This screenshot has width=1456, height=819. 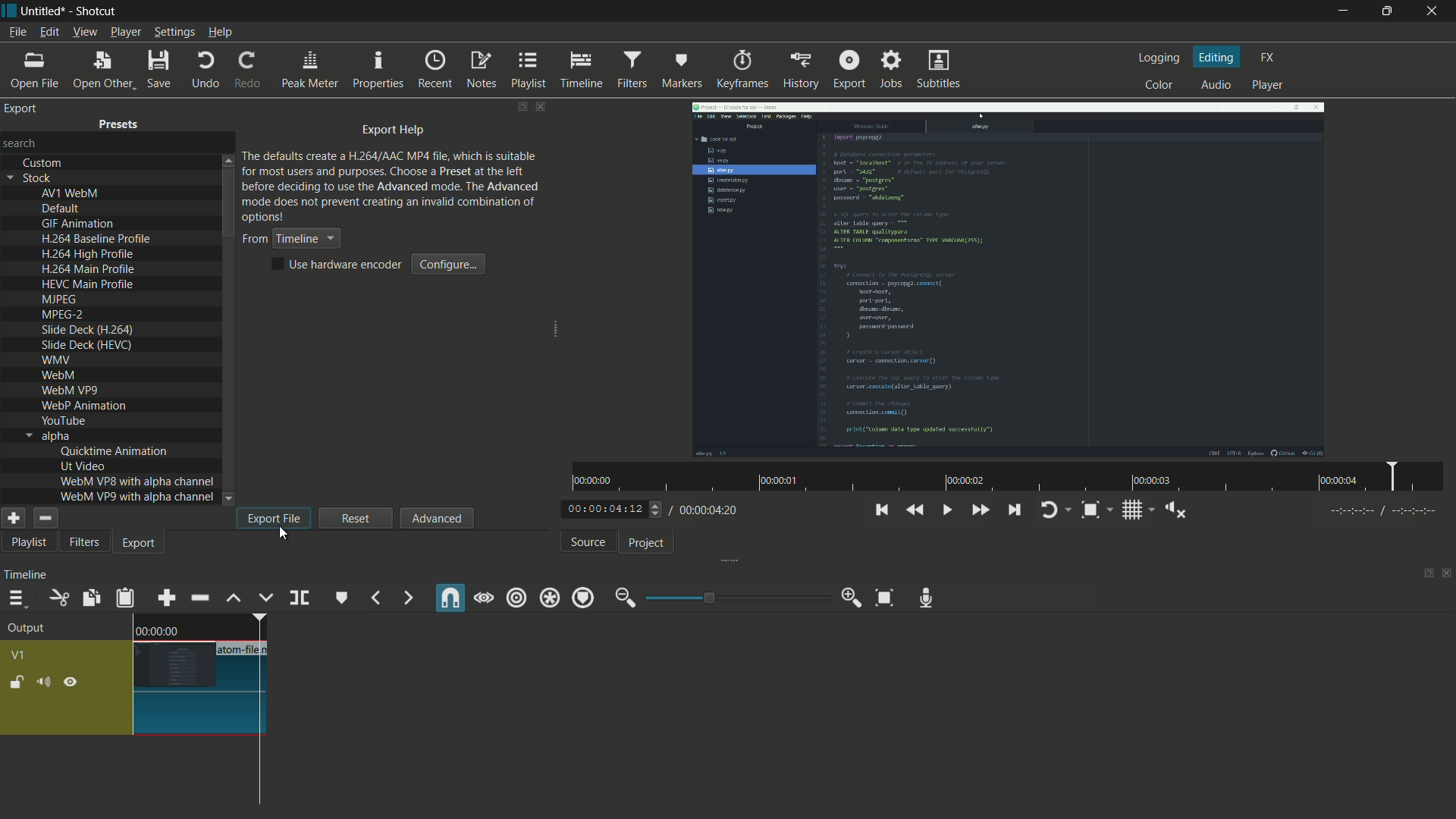 I want to click on ripple delete, so click(x=199, y=598).